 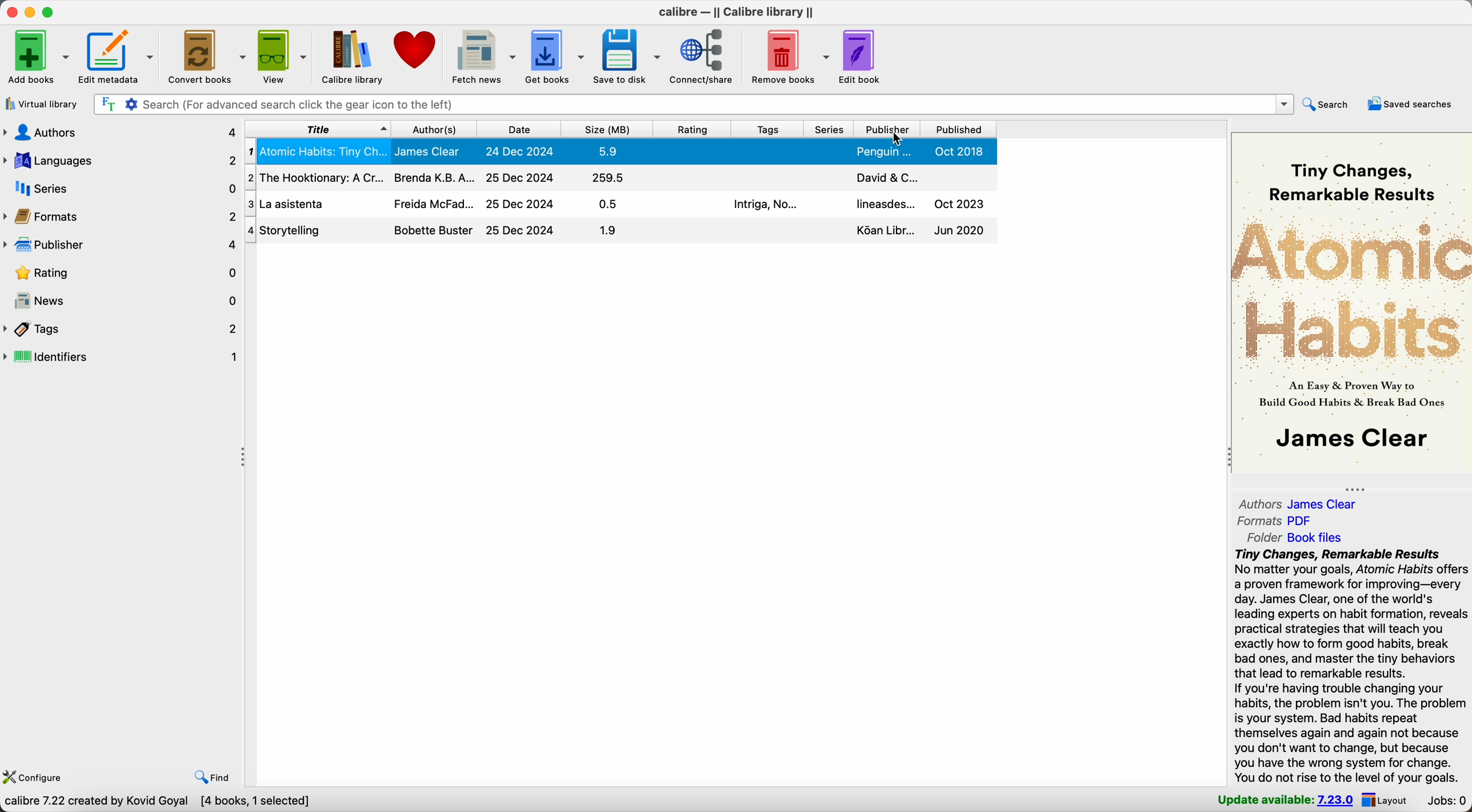 What do you see at coordinates (1349, 665) in the screenshot?
I see `tiny changes, remarkable results - synopsis` at bounding box center [1349, 665].